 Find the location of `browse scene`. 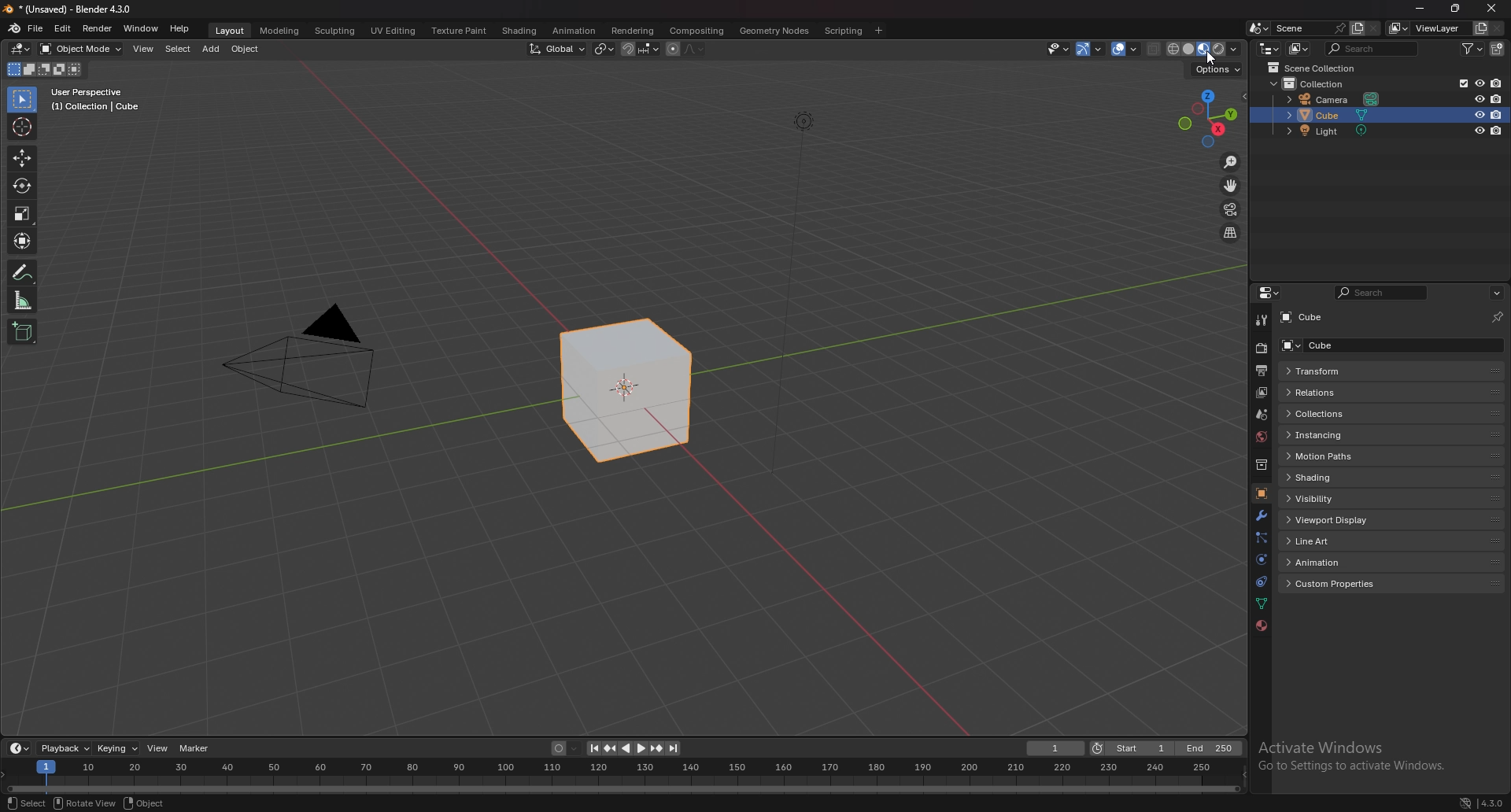

browse scene is located at coordinates (1259, 28).